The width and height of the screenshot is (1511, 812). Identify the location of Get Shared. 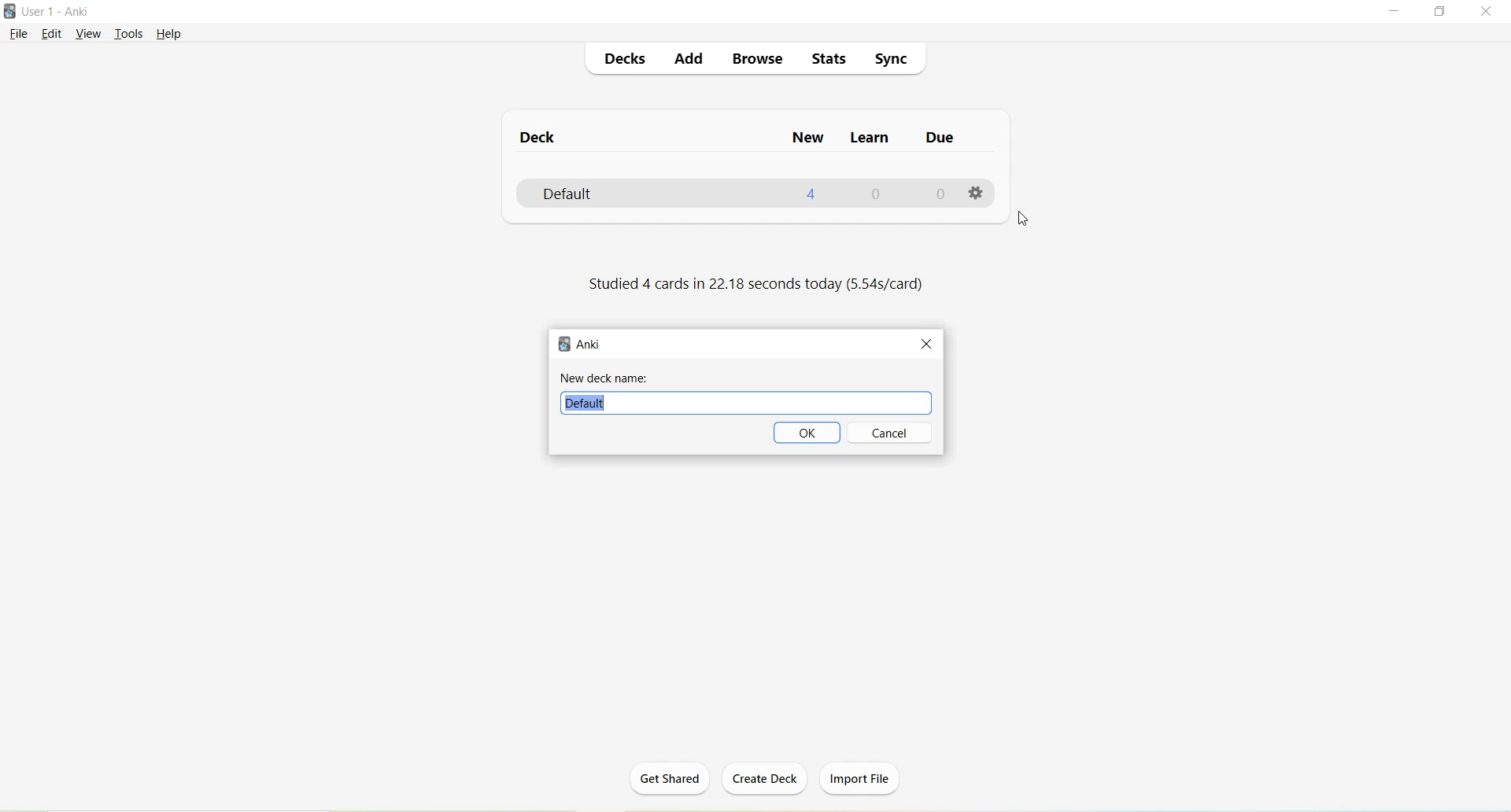
(667, 783).